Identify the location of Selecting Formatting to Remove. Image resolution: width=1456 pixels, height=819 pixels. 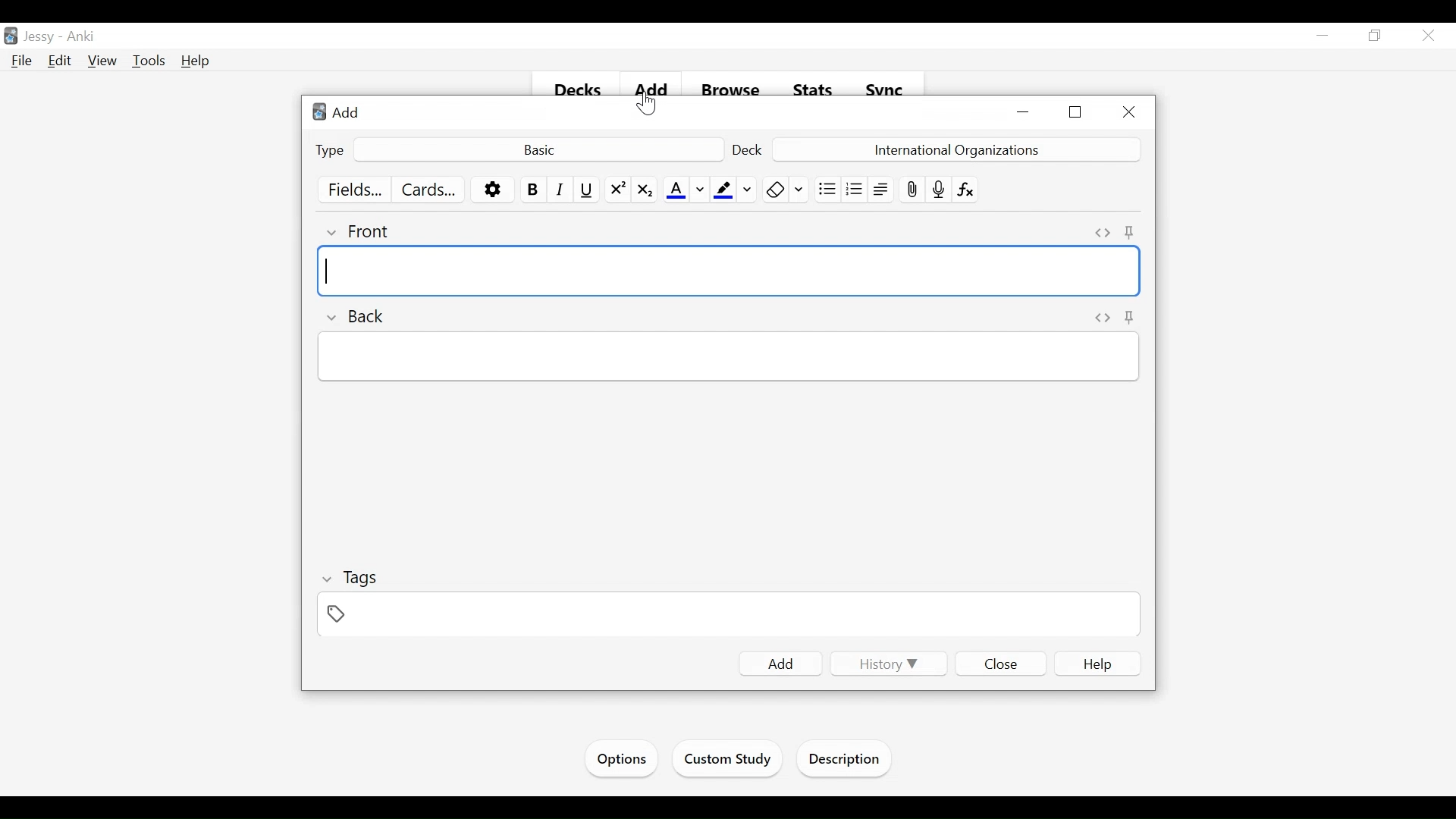
(799, 189).